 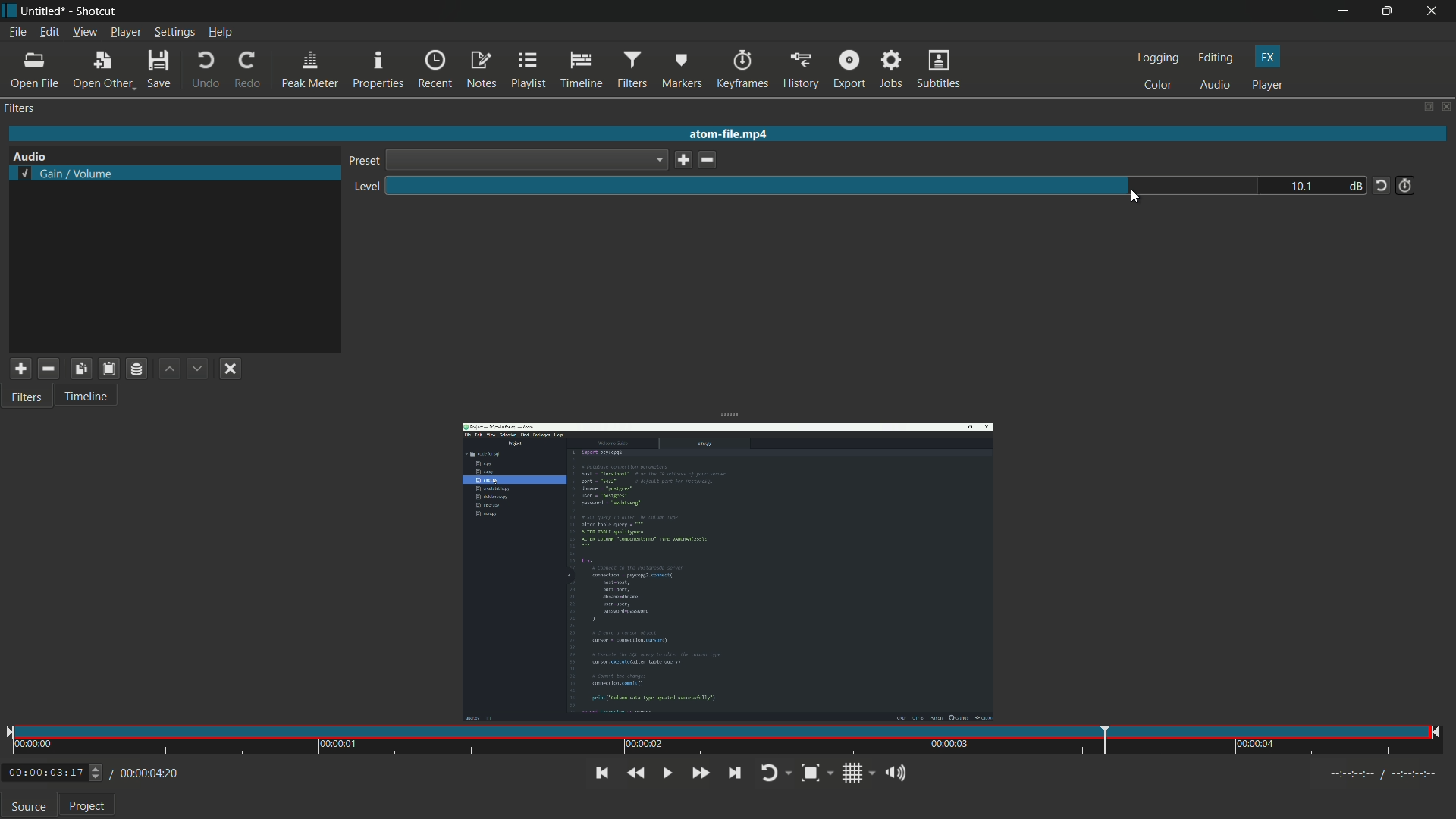 What do you see at coordinates (529, 70) in the screenshot?
I see `playlist` at bounding box center [529, 70].